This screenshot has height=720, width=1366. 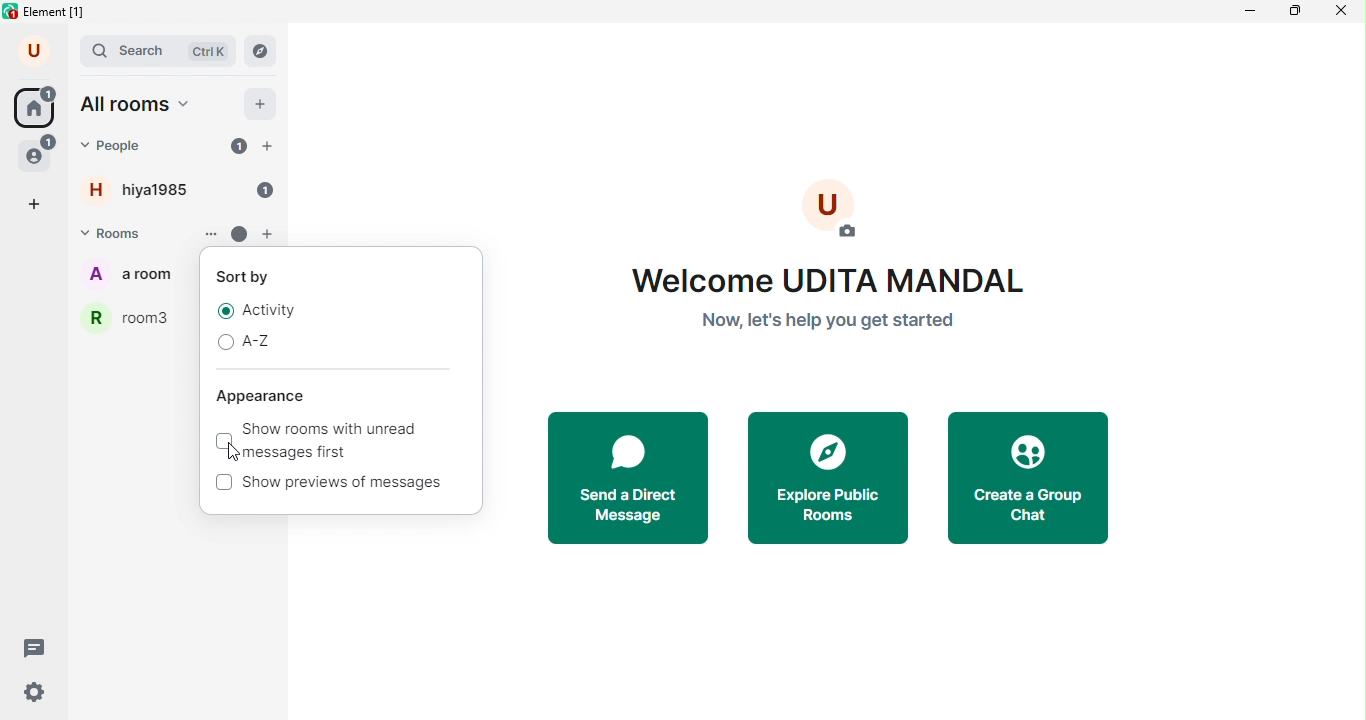 I want to click on quick settings, so click(x=34, y=692).